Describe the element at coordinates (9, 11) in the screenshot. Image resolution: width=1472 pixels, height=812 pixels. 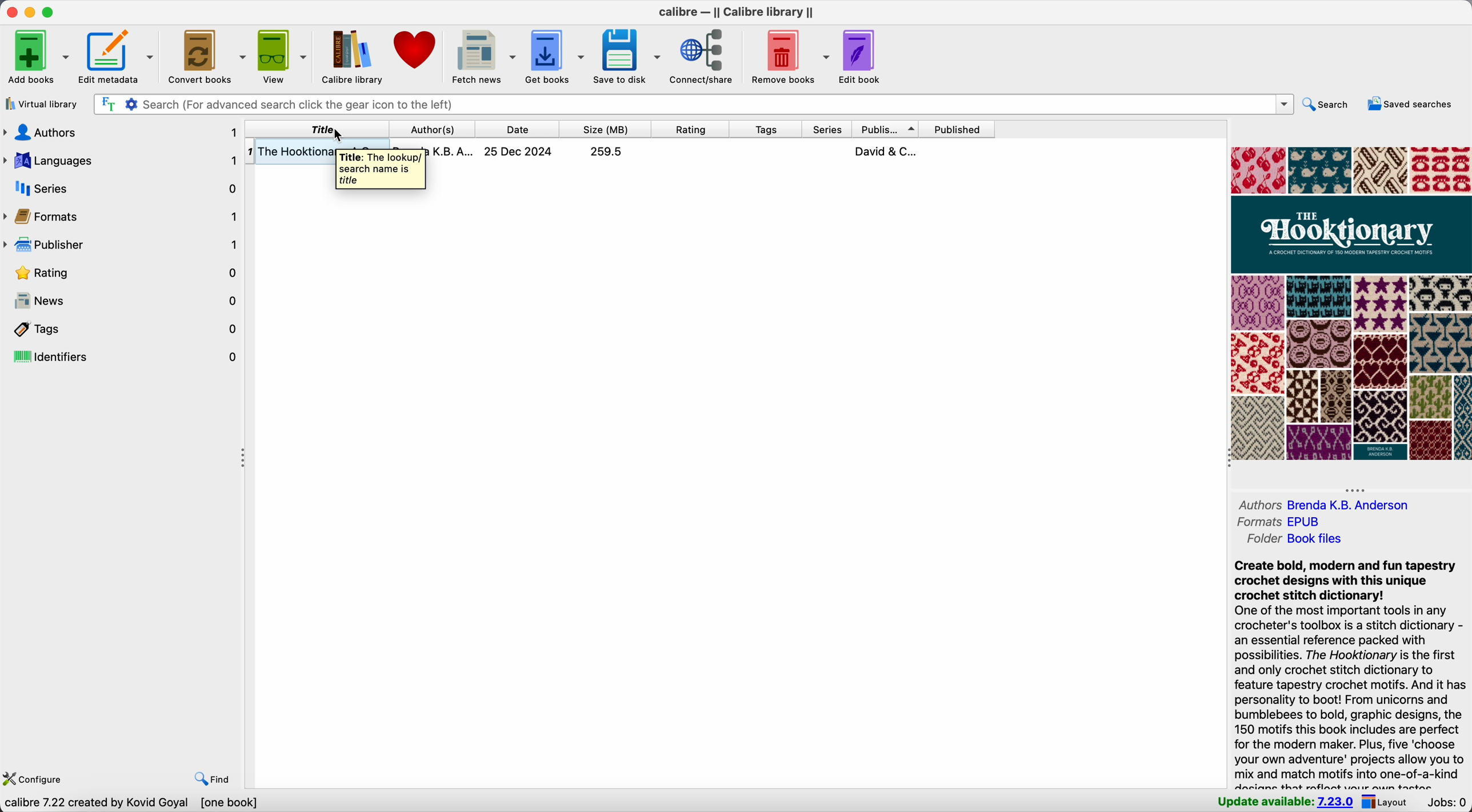
I see `close Calibre` at that location.